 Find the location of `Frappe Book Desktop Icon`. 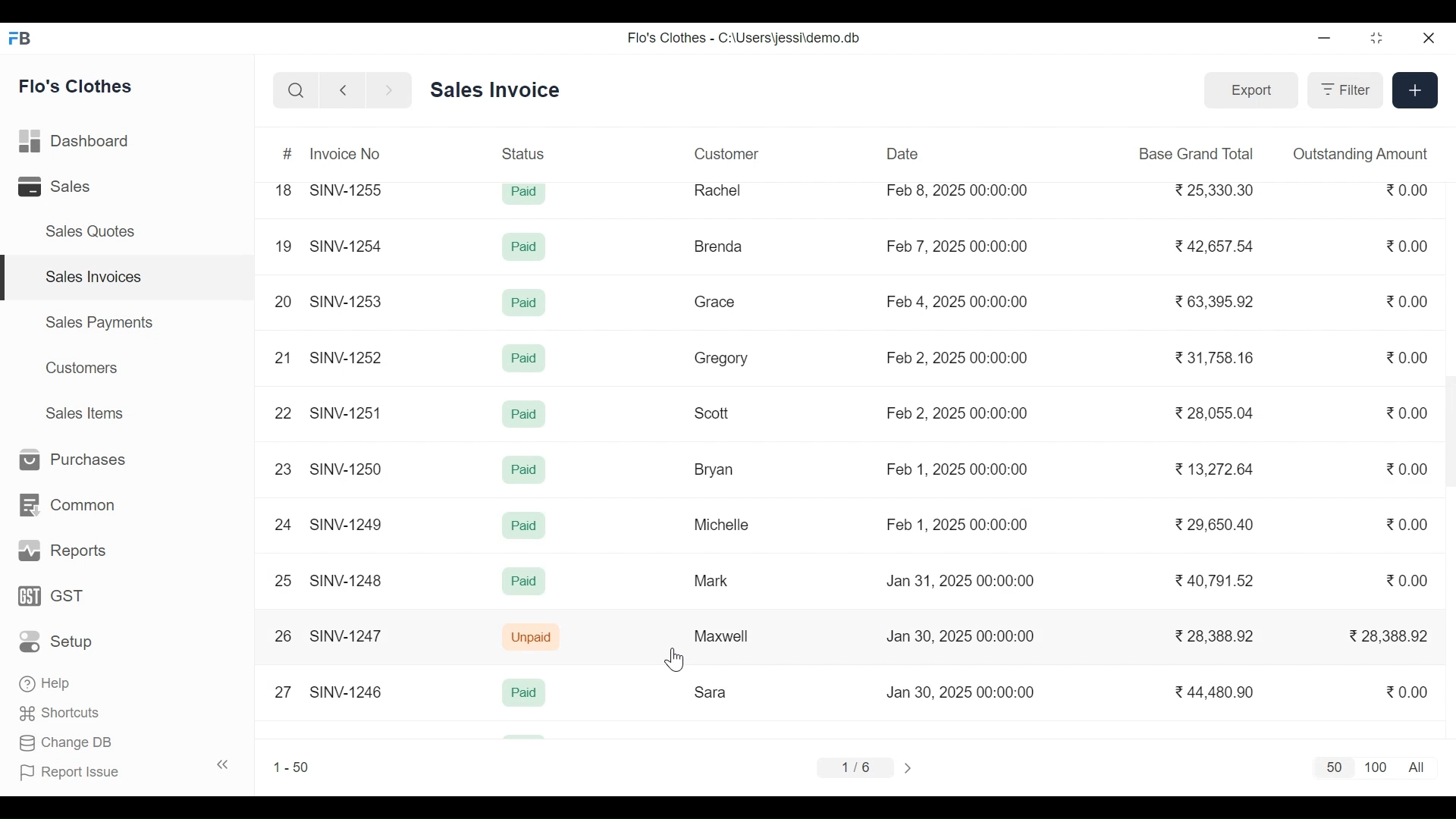

Frappe Book Desktop Icon is located at coordinates (25, 39).